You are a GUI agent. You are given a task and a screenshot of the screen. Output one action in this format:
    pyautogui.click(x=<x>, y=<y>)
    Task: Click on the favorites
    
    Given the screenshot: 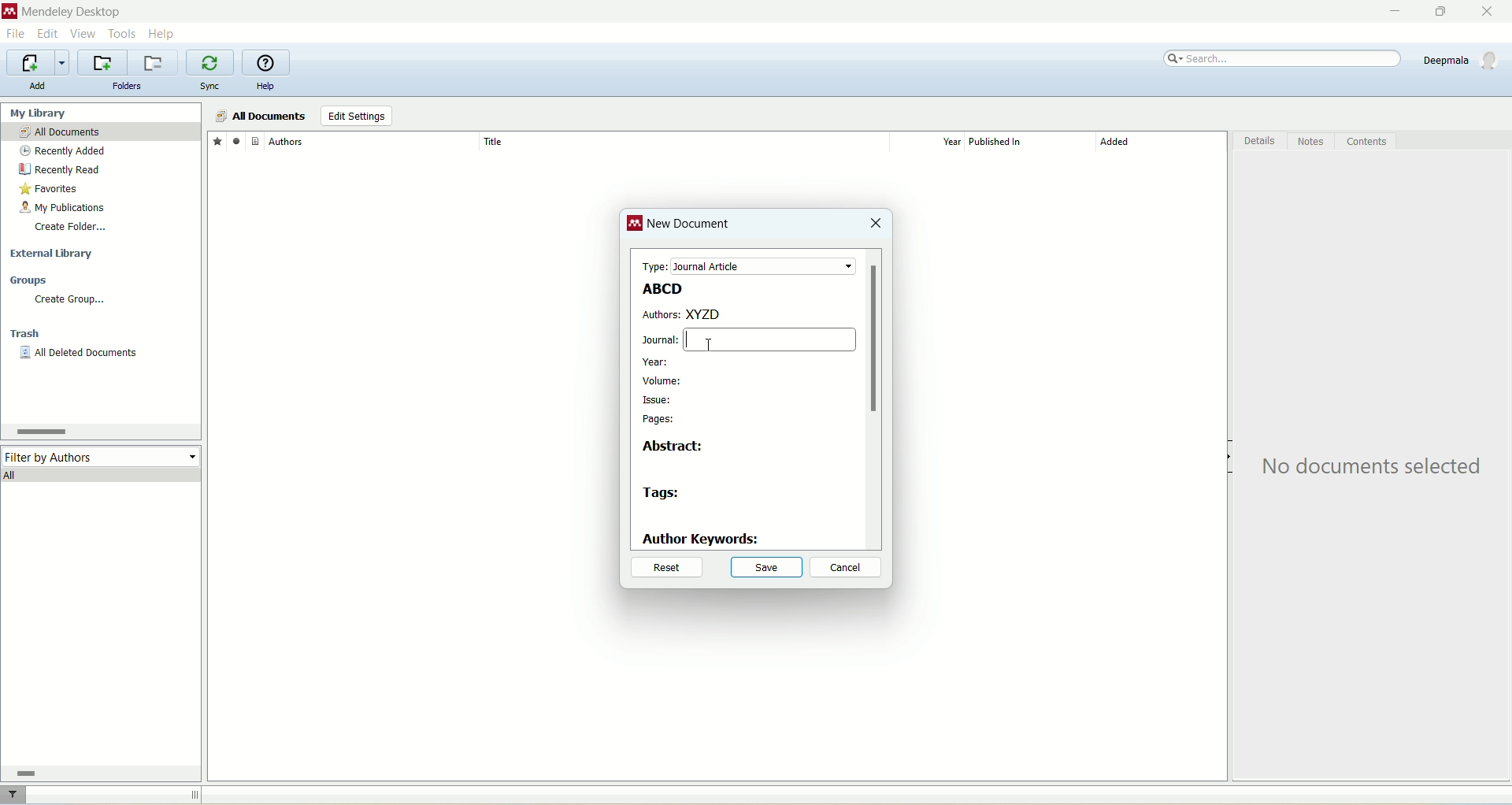 What is the action you would take?
    pyautogui.click(x=50, y=191)
    